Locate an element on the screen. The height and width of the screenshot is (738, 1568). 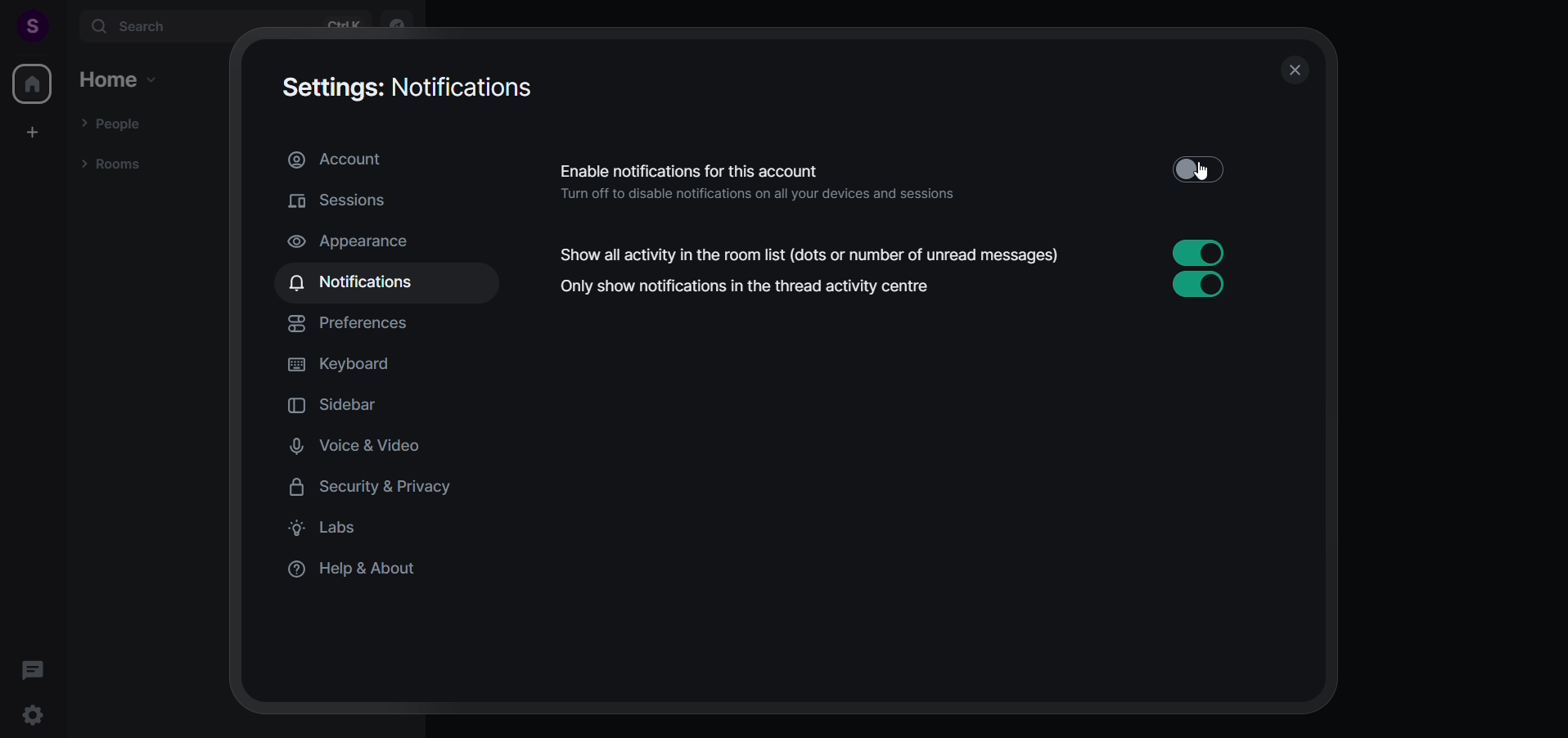
people is located at coordinates (115, 122).